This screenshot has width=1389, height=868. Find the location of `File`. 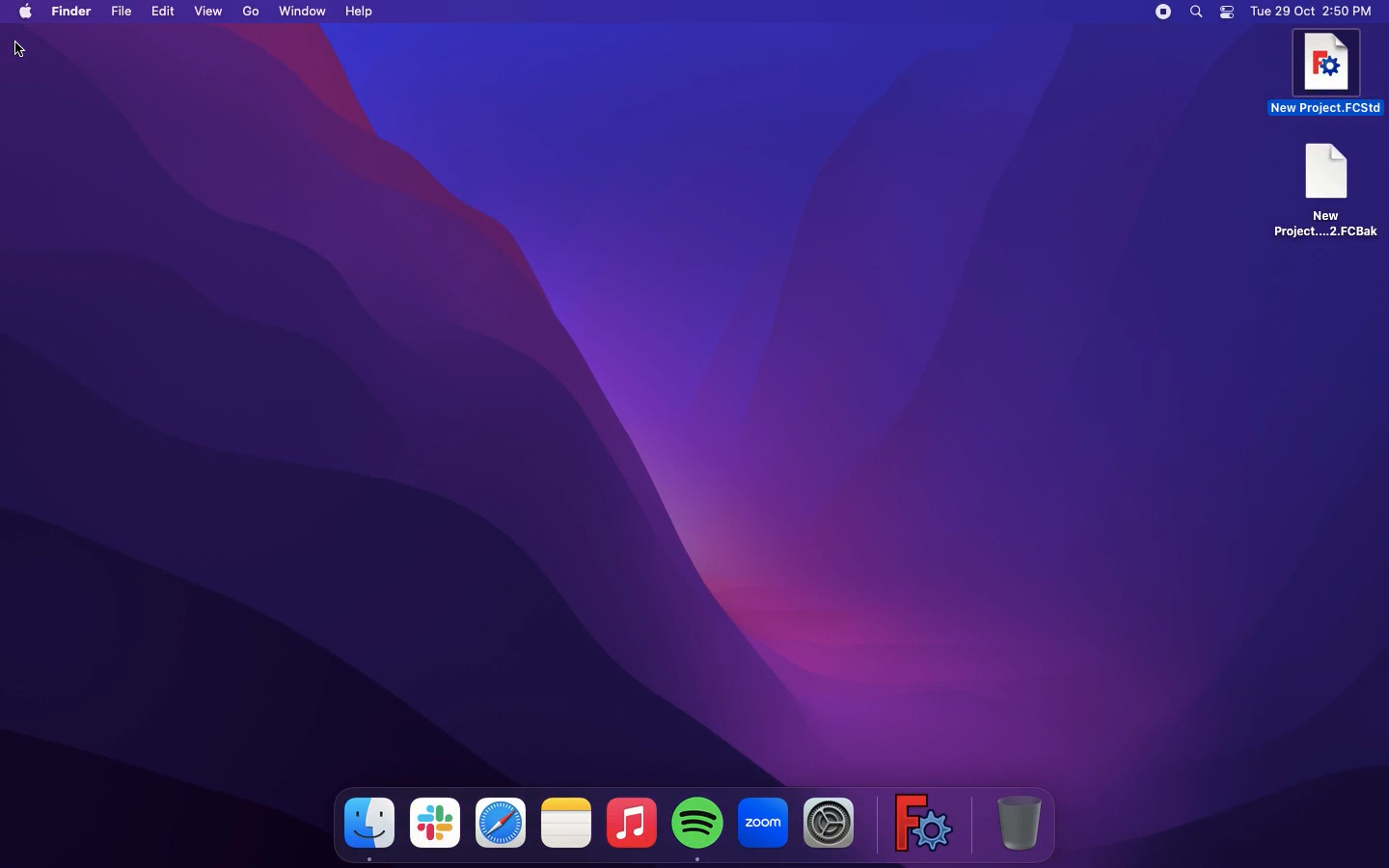

File is located at coordinates (124, 12).